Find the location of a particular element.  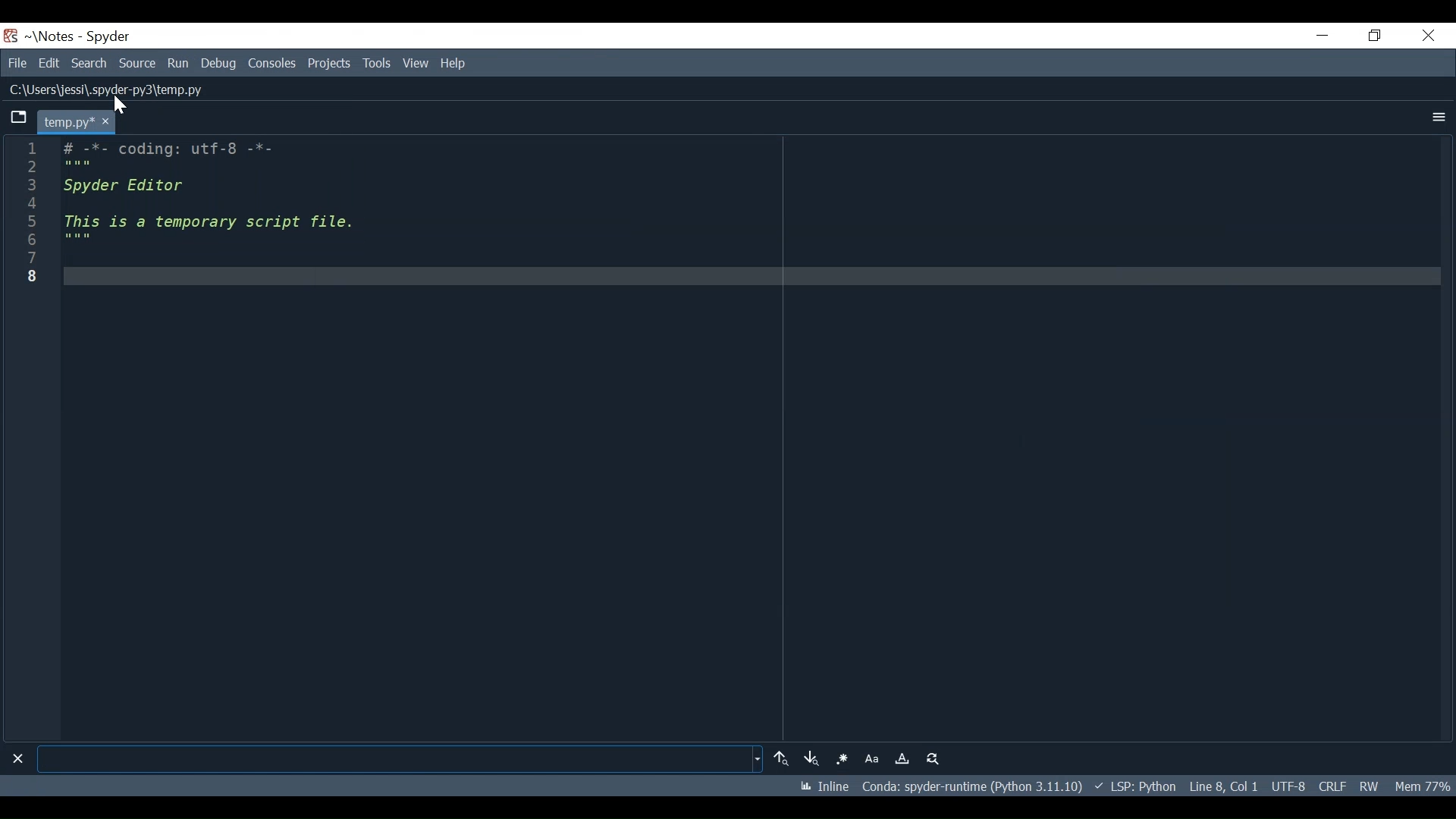

Search is located at coordinates (80, 63).